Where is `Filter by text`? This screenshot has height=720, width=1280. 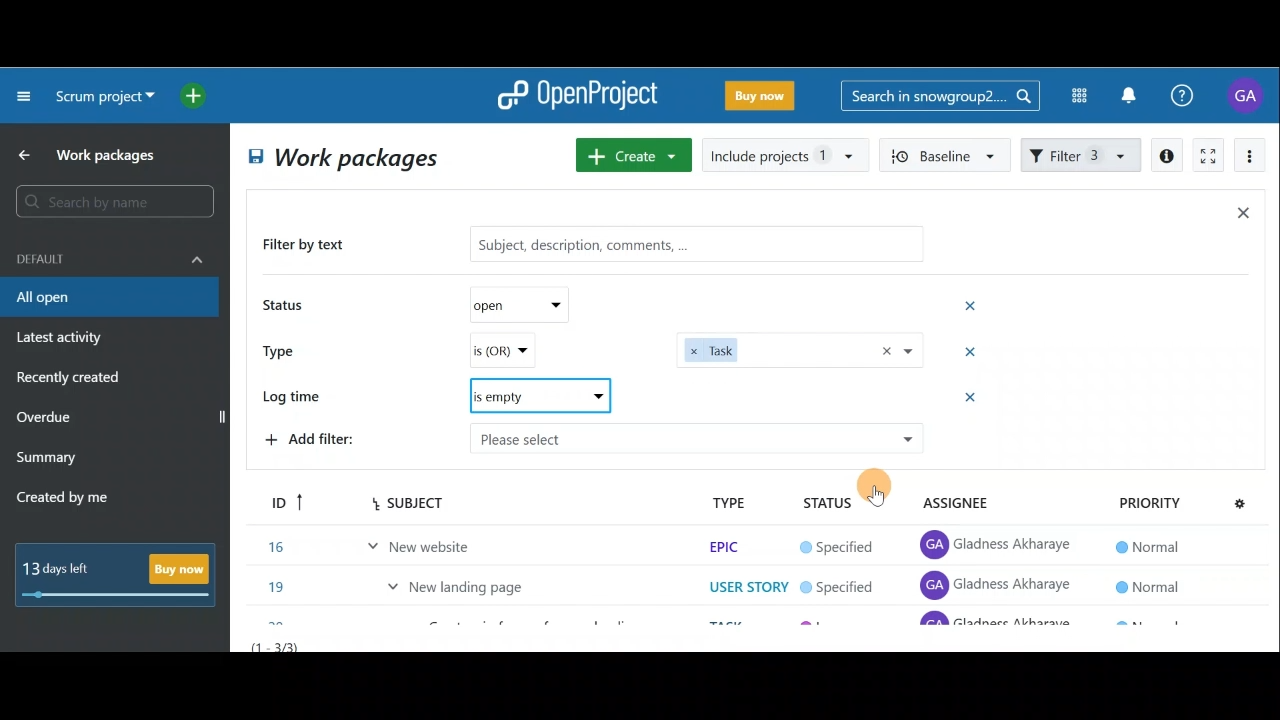 Filter by text is located at coordinates (312, 246).